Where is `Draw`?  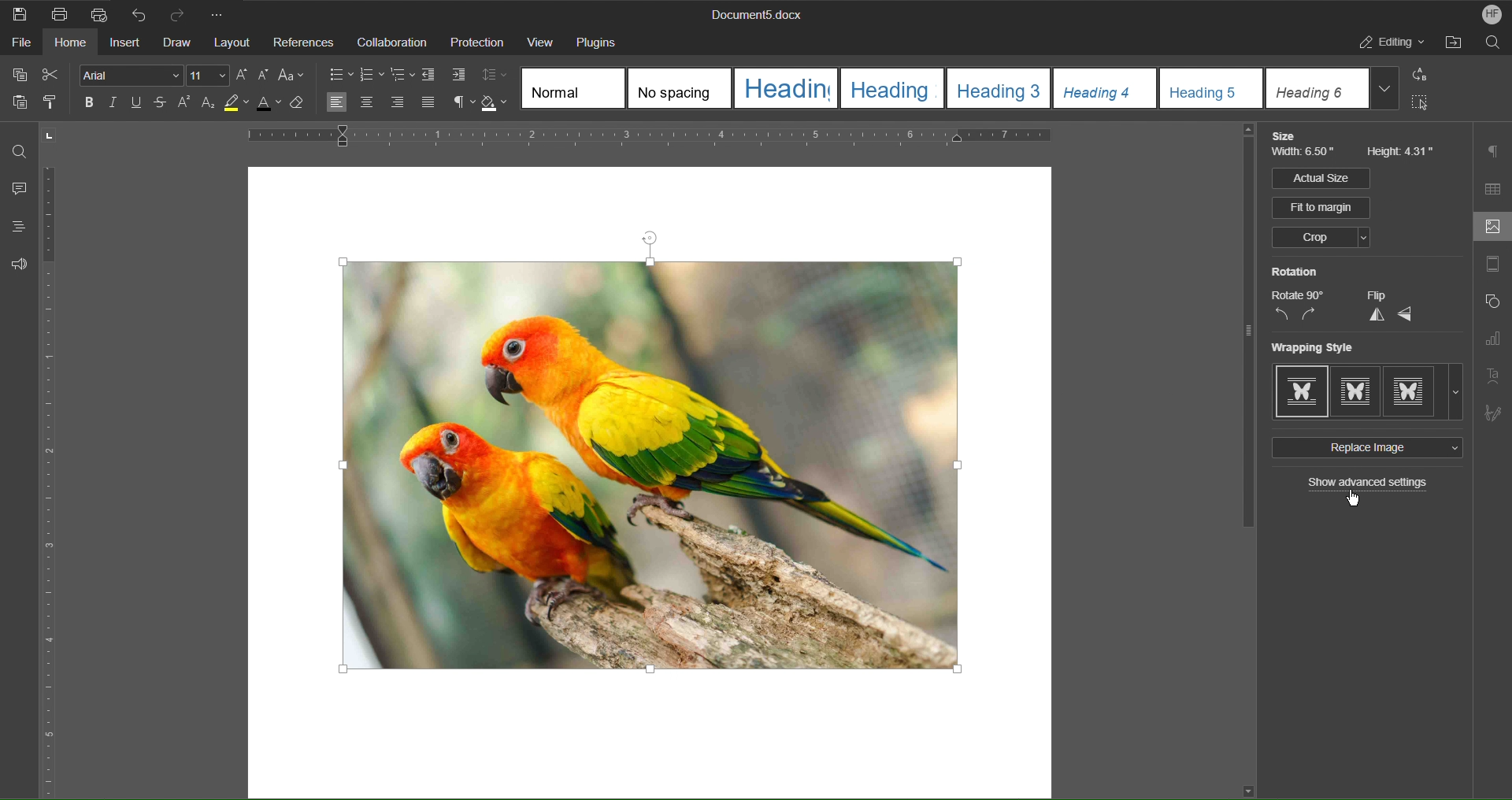
Draw is located at coordinates (179, 43).